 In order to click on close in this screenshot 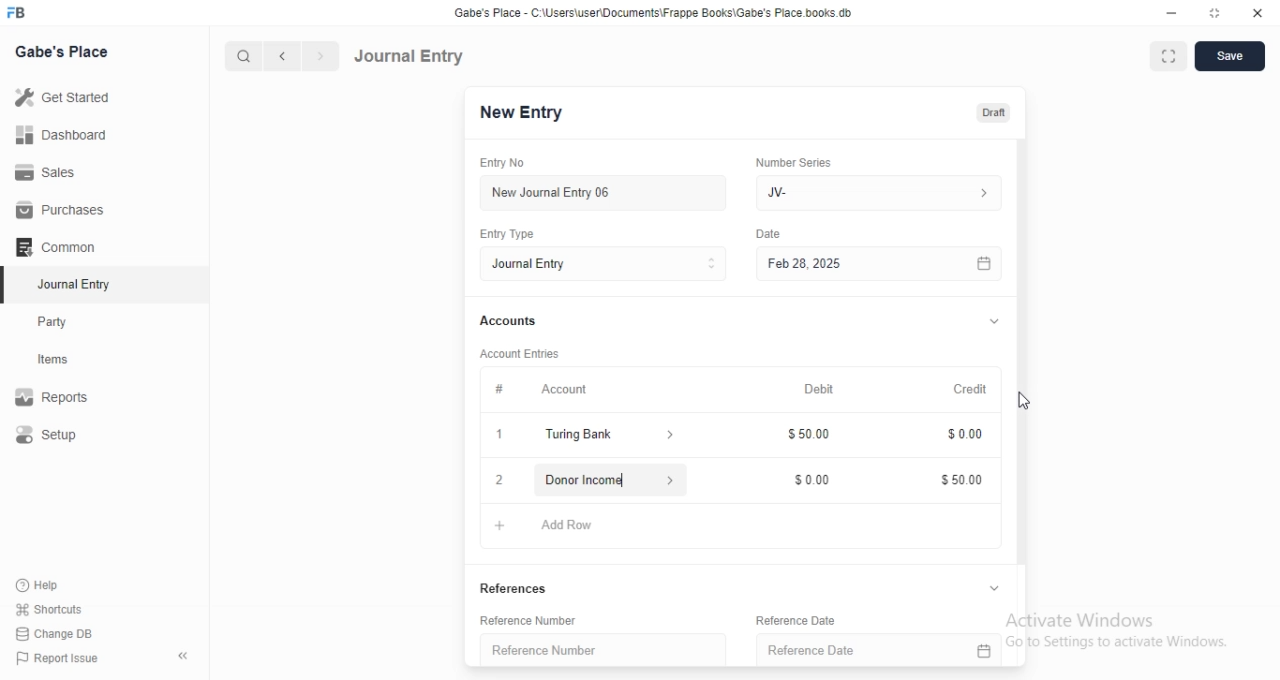, I will do `click(497, 480)`.